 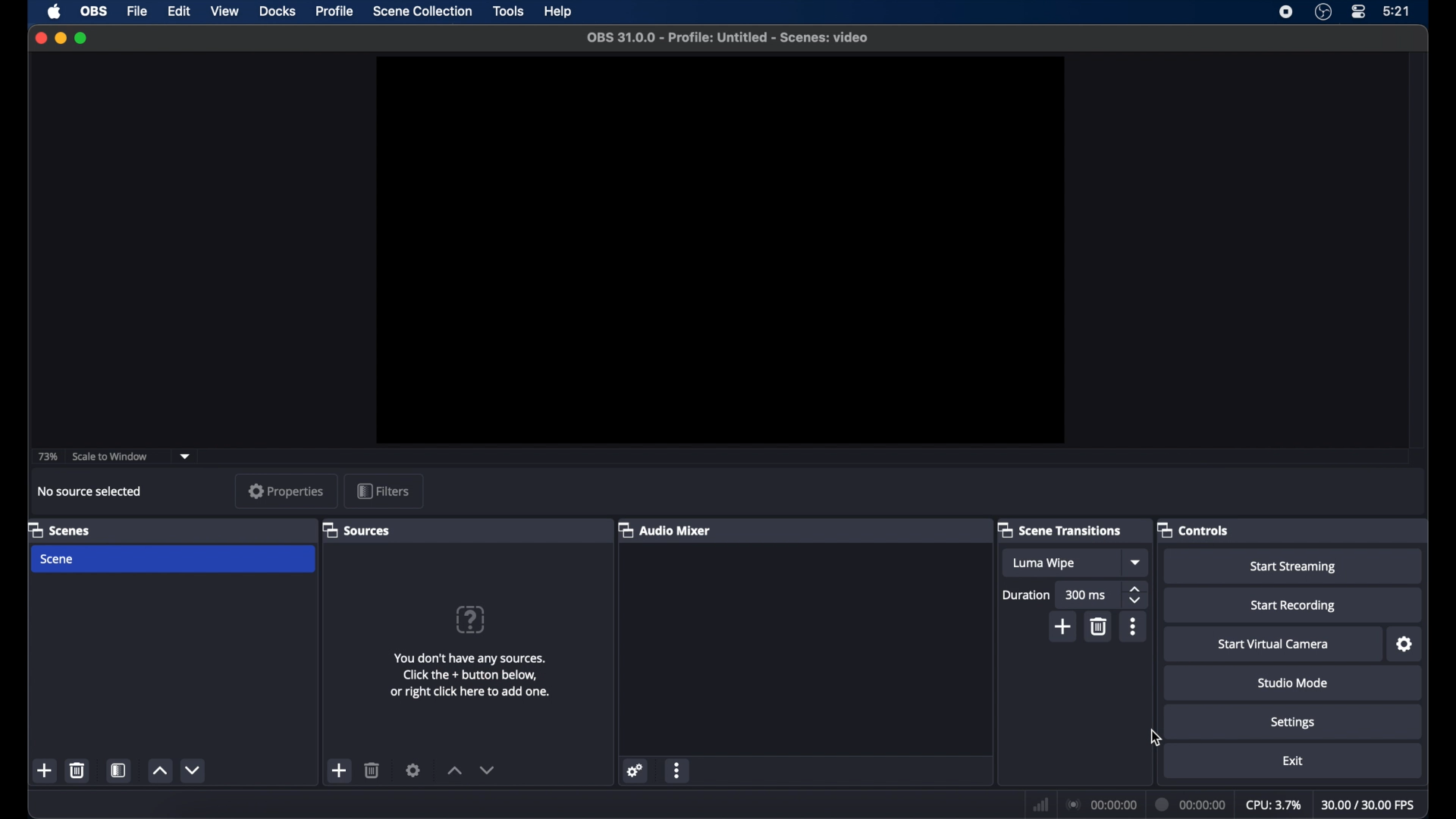 I want to click on edit, so click(x=178, y=12).